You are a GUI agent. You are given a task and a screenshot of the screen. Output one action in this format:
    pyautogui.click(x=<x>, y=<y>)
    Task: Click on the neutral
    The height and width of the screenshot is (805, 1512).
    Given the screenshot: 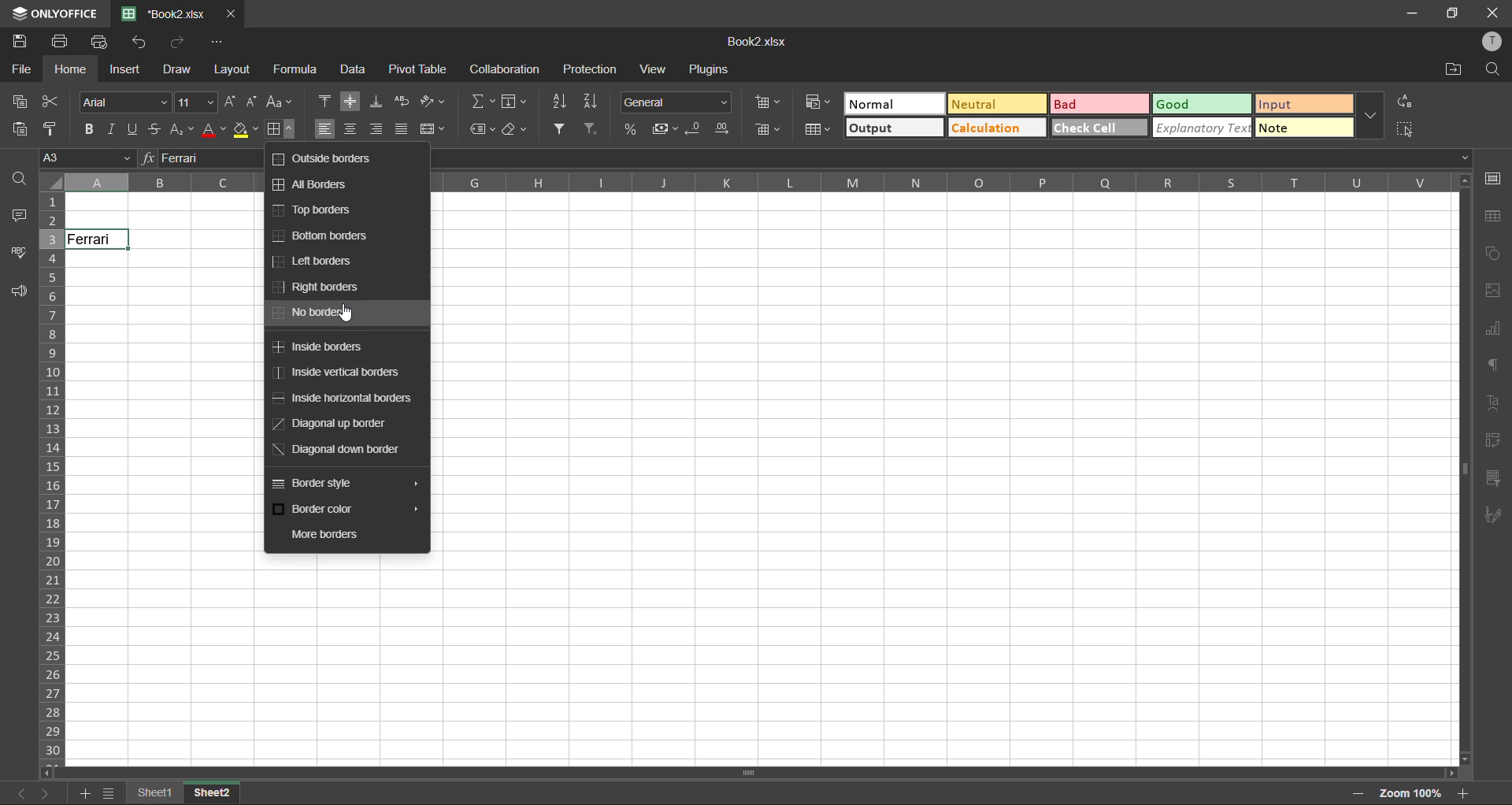 What is the action you would take?
    pyautogui.click(x=996, y=103)
    